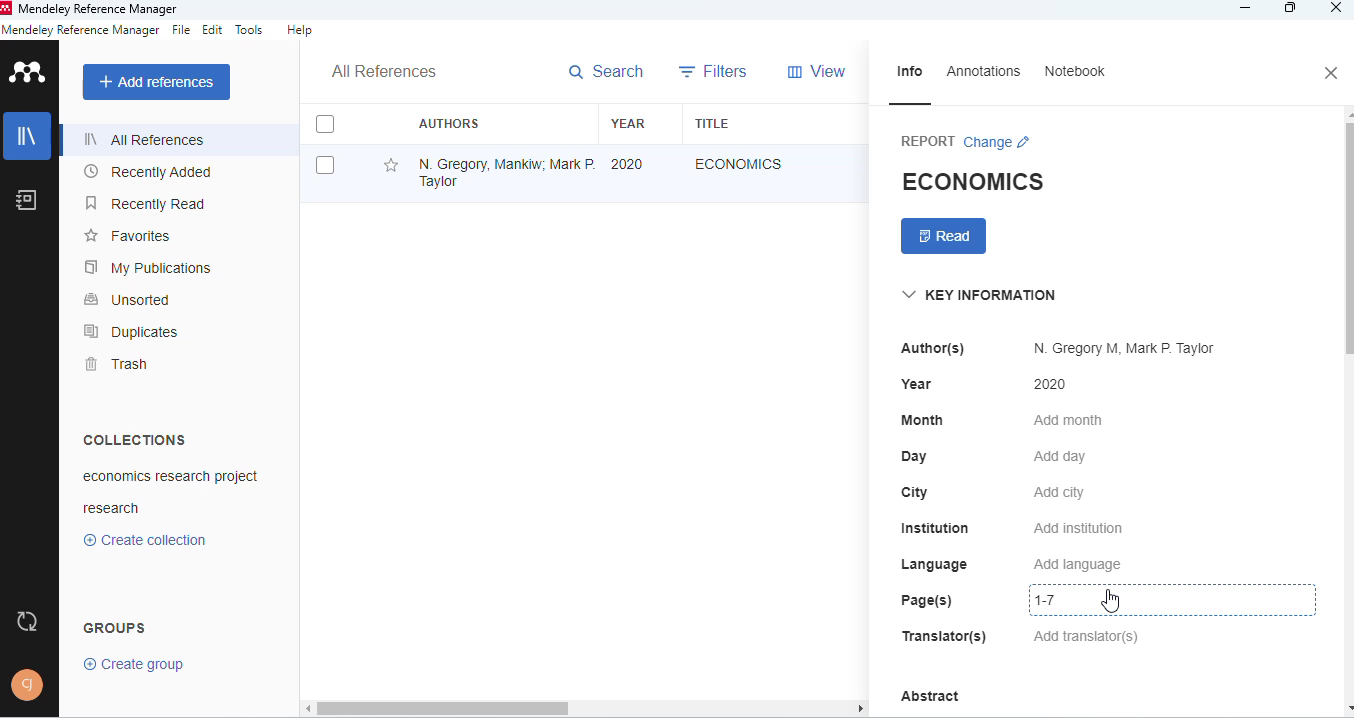  Describe the element at coordinates (930, 697) in the screenshot. I see `abstract` at that location.